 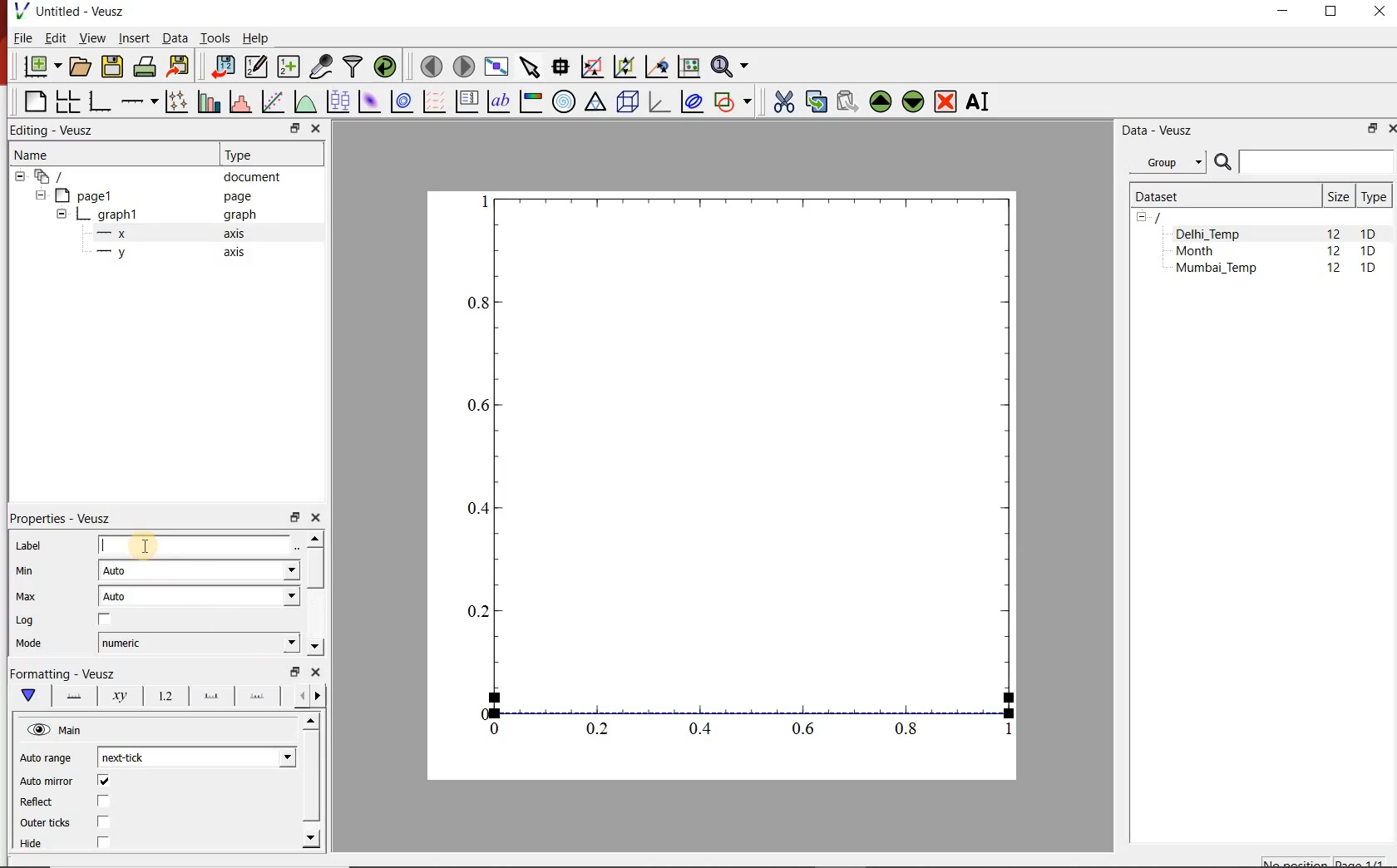 I want to click on Delhi_Temp, so click(x=1211, y=234).